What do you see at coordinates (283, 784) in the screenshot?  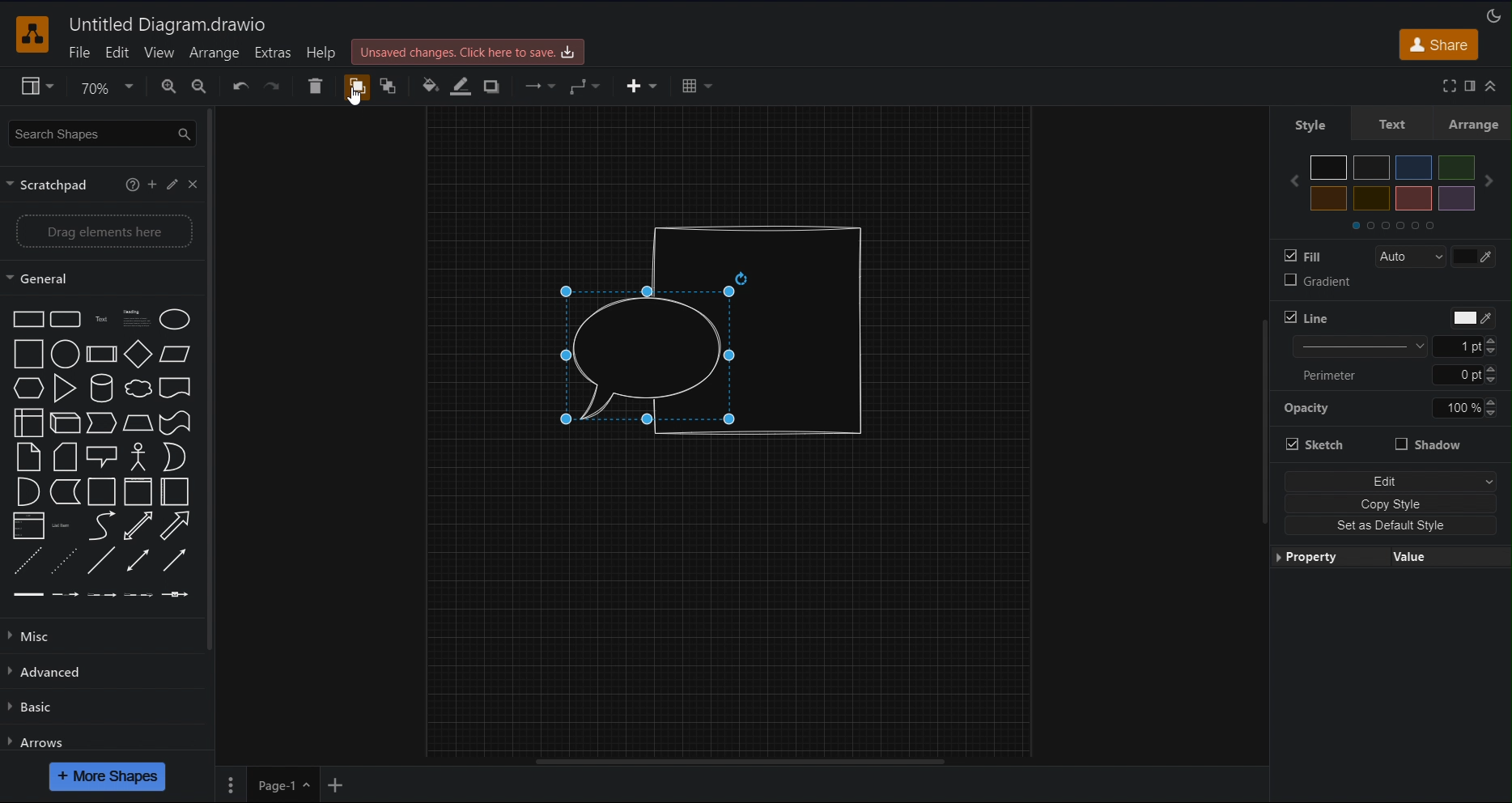 I see `Page 1` at bounding box center [283, 784].